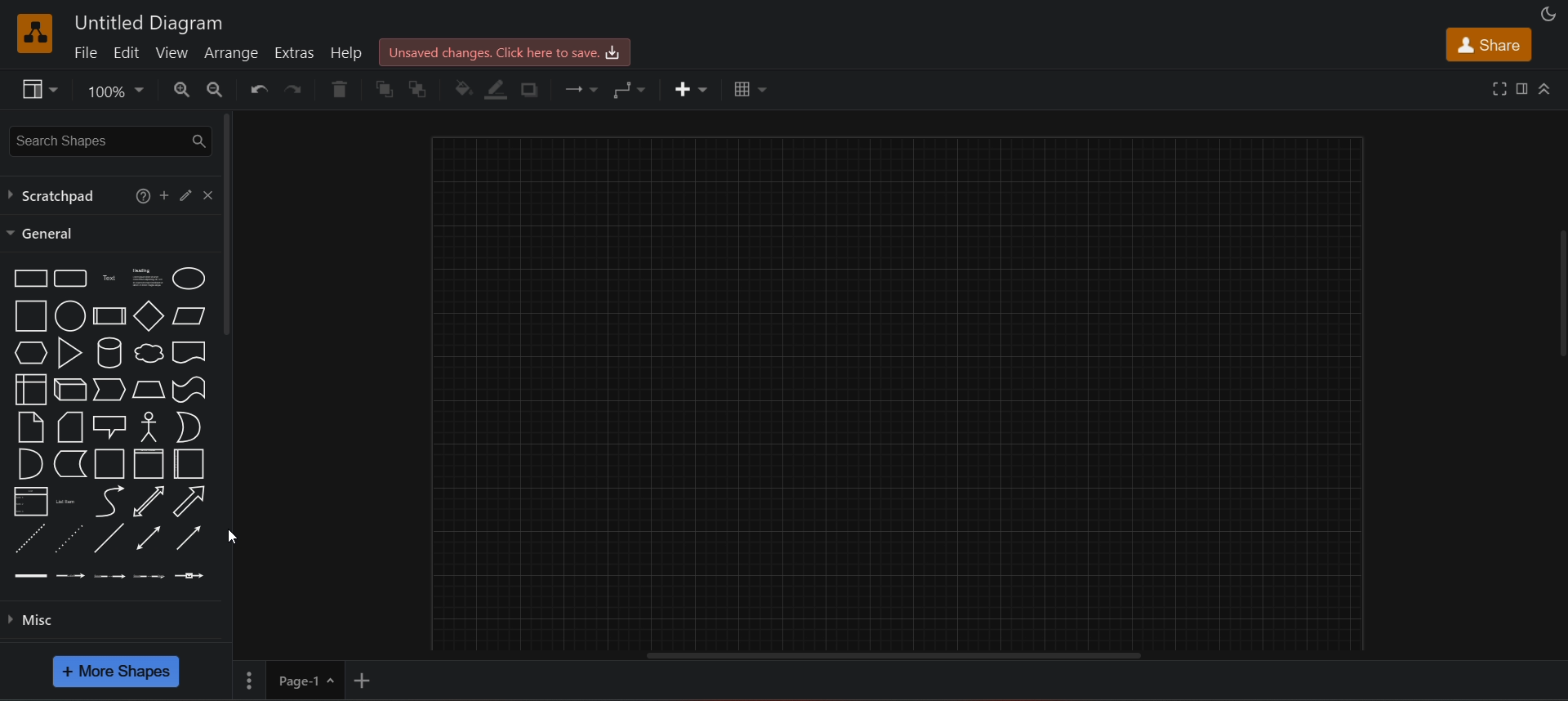 The image size is (1568, 701). Describe the element at coordinates (65, 501) in the screenshot. I see `list item` at that location.